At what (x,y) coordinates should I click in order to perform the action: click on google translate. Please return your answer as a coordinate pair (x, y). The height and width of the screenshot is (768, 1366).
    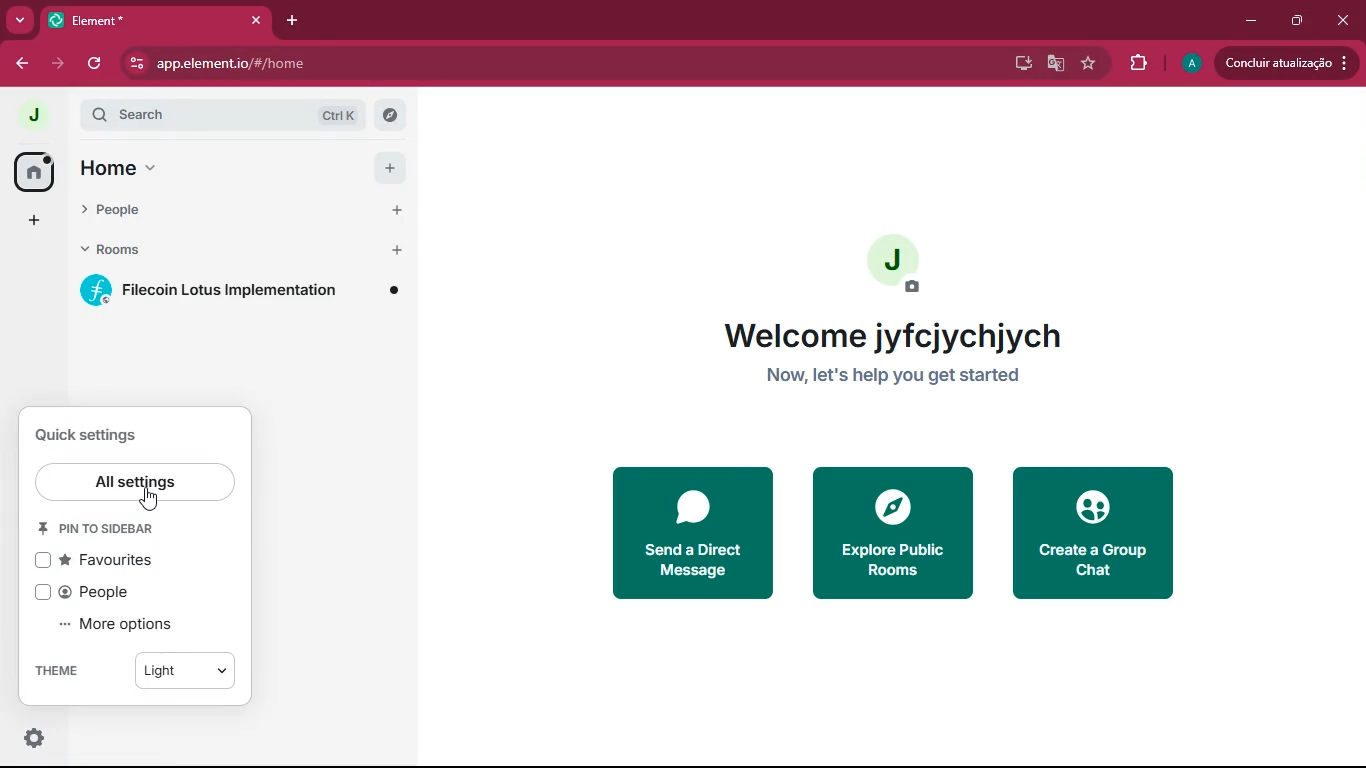
    Looking at the image, I should click on (1056, 66).